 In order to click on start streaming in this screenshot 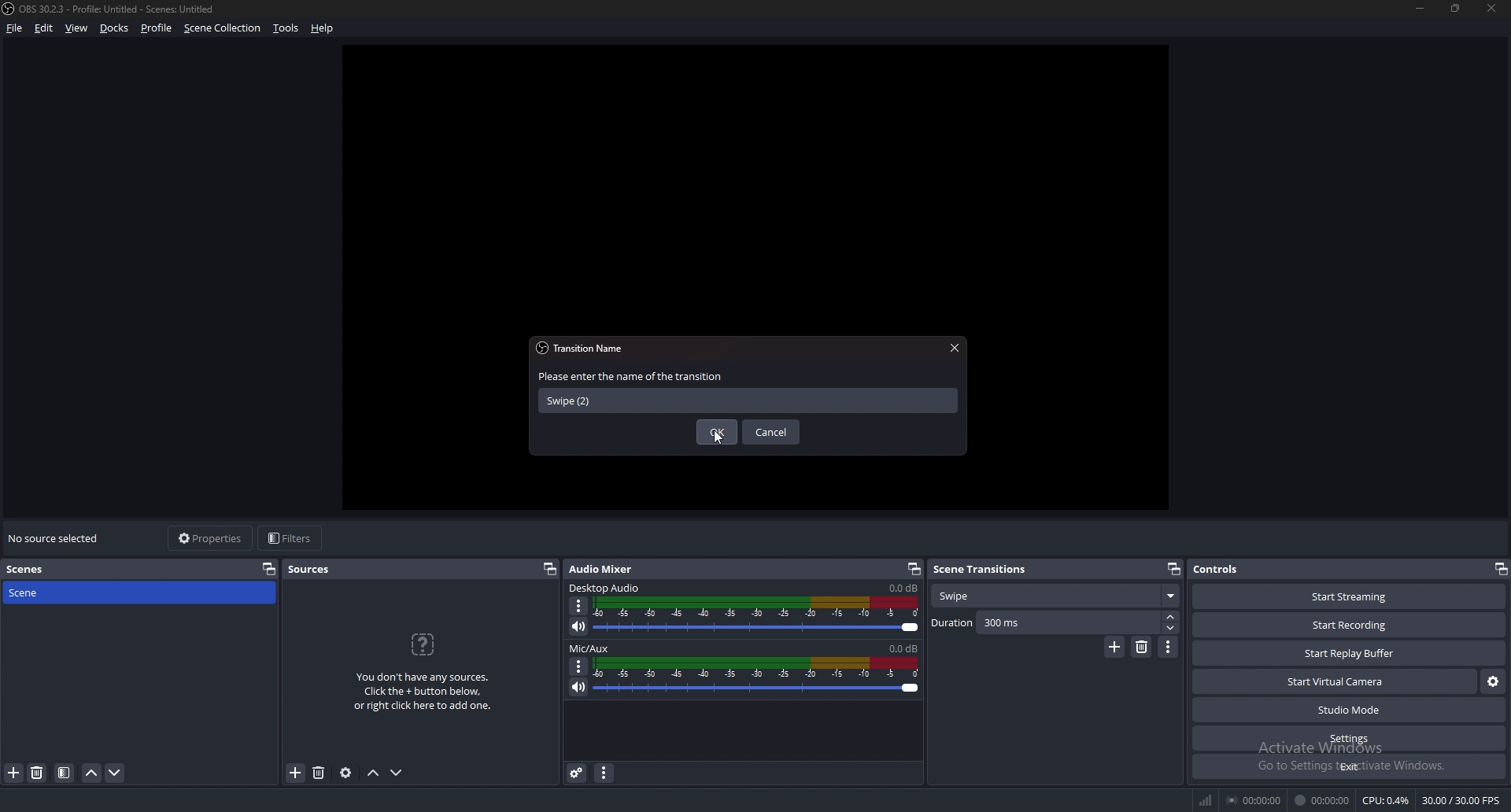, I will do `click(1349, 597)`.